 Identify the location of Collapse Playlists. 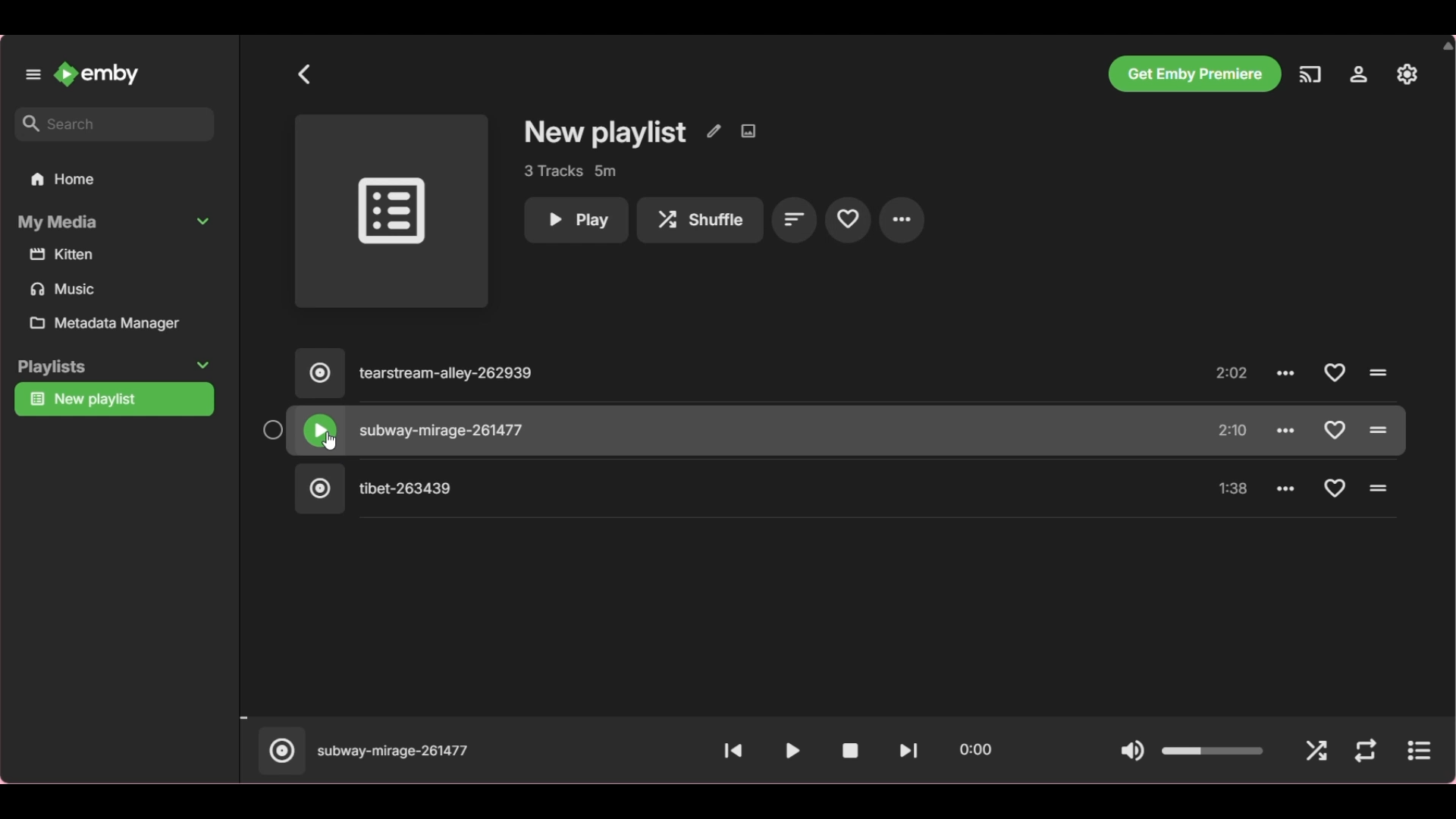
(114, 367).